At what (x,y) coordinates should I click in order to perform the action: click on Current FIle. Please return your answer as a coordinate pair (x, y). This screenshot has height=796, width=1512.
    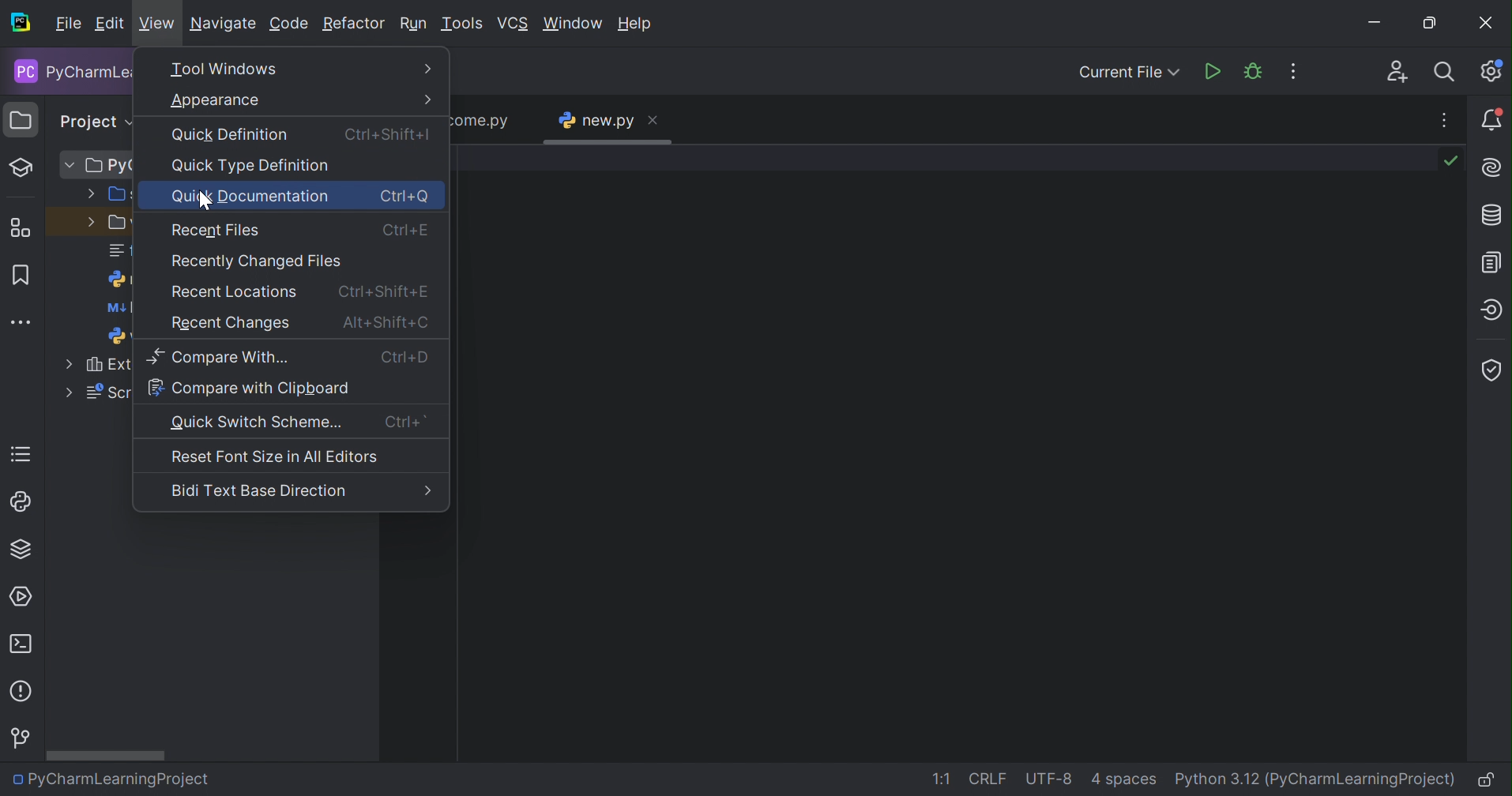
    Looking at the image, I should click on (1130, 73).